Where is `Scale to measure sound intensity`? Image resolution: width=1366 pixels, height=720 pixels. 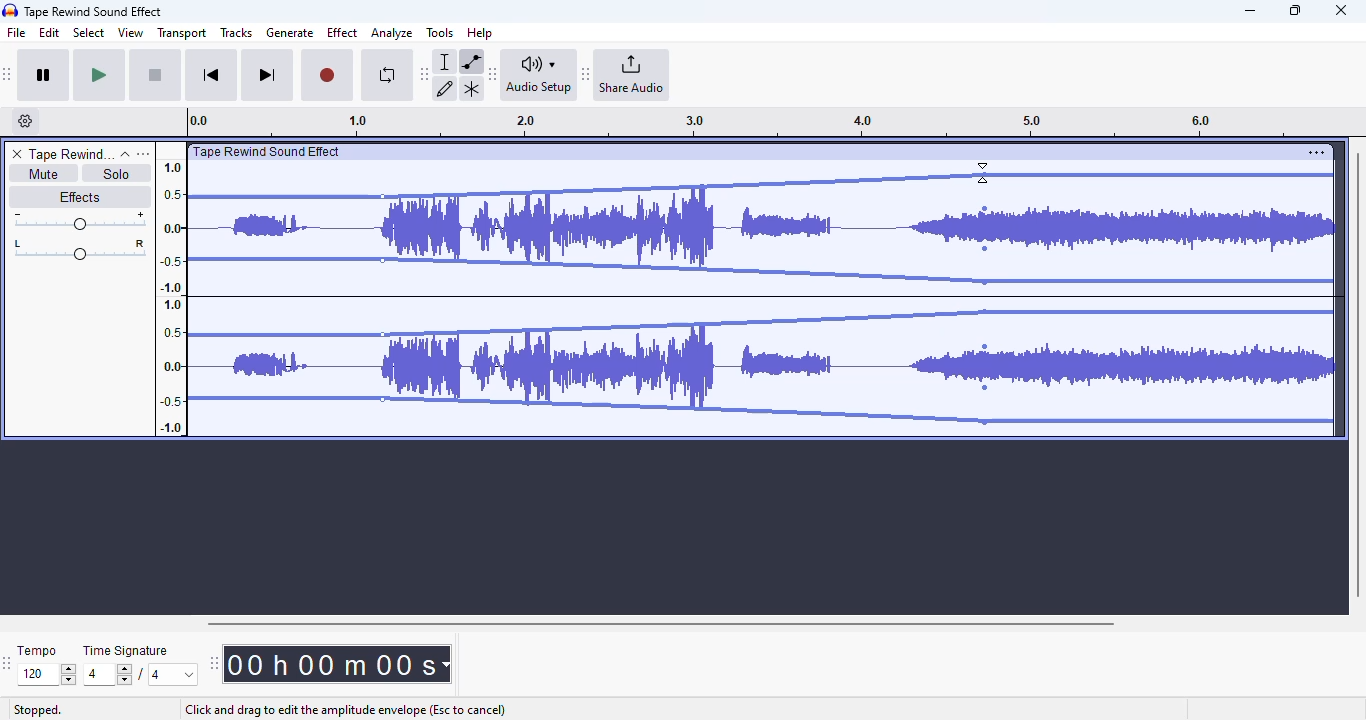
Scale to measure sound intensity is located at coordinates (172, 296).